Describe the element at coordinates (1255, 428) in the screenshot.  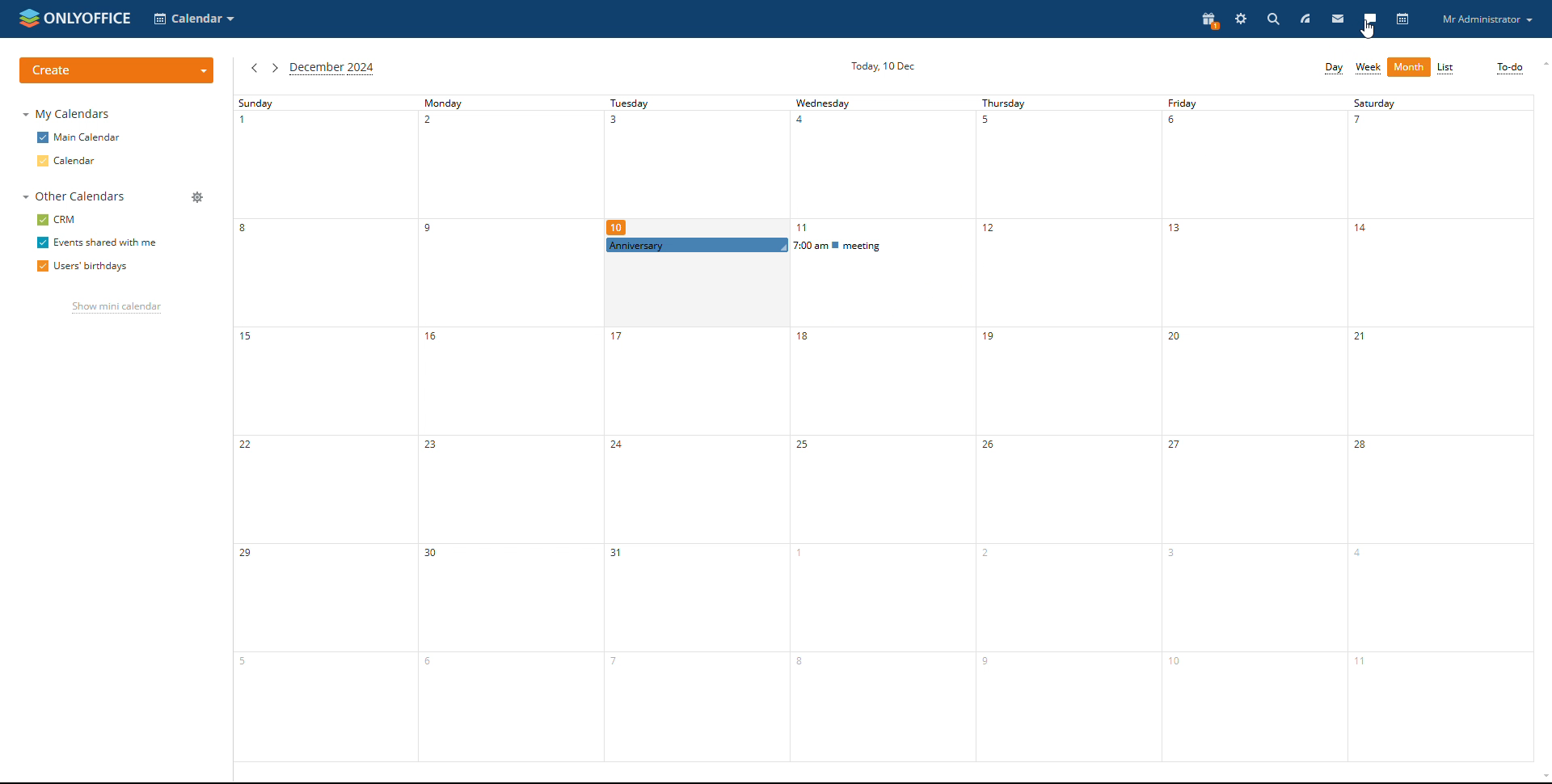
I see `friday` at that location.